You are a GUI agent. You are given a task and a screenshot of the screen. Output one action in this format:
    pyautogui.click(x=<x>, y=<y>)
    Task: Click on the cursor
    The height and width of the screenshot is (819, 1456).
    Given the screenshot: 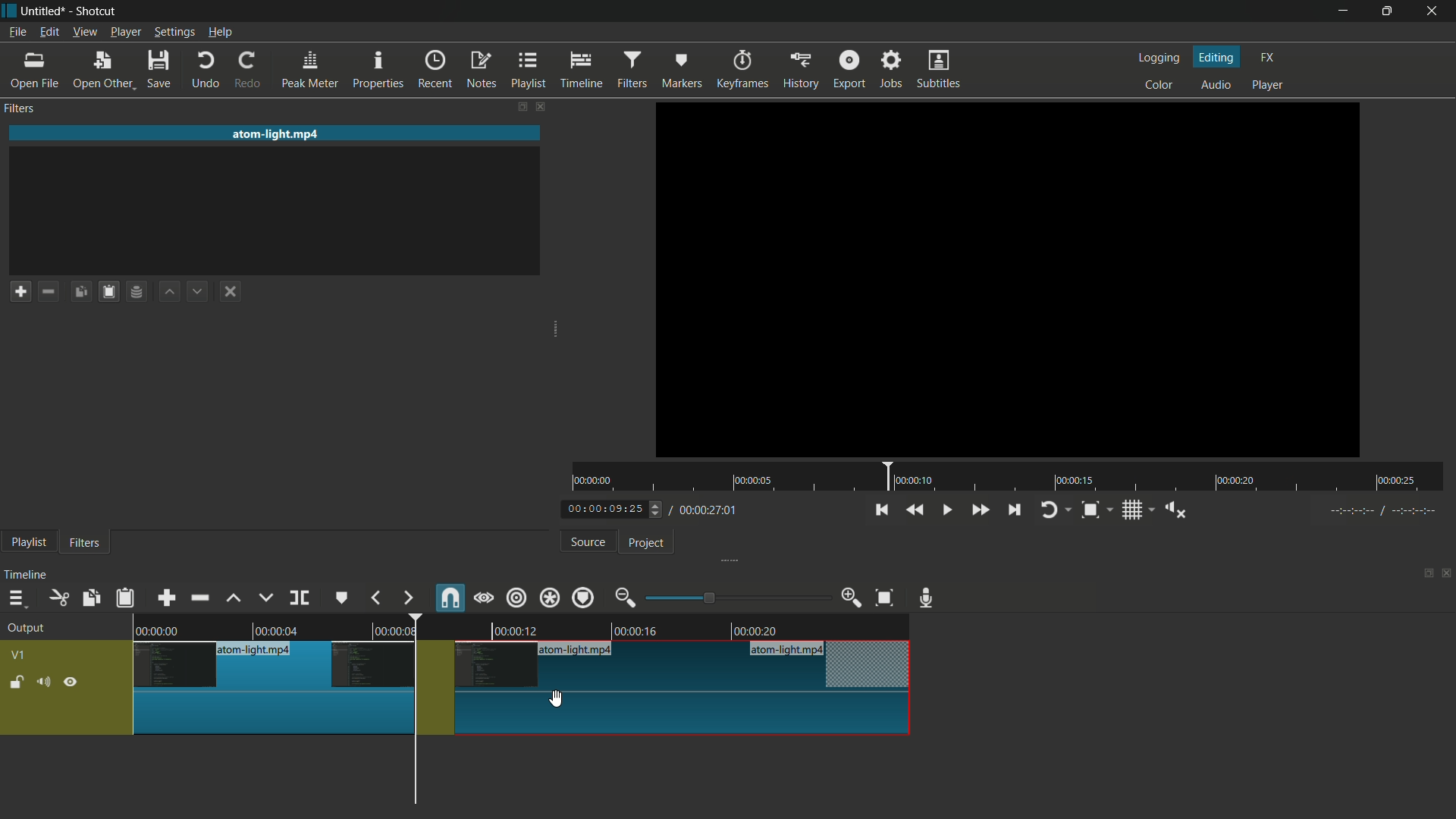 What is the action you would take?
    pyautogui.click(x=556, y=700)
    